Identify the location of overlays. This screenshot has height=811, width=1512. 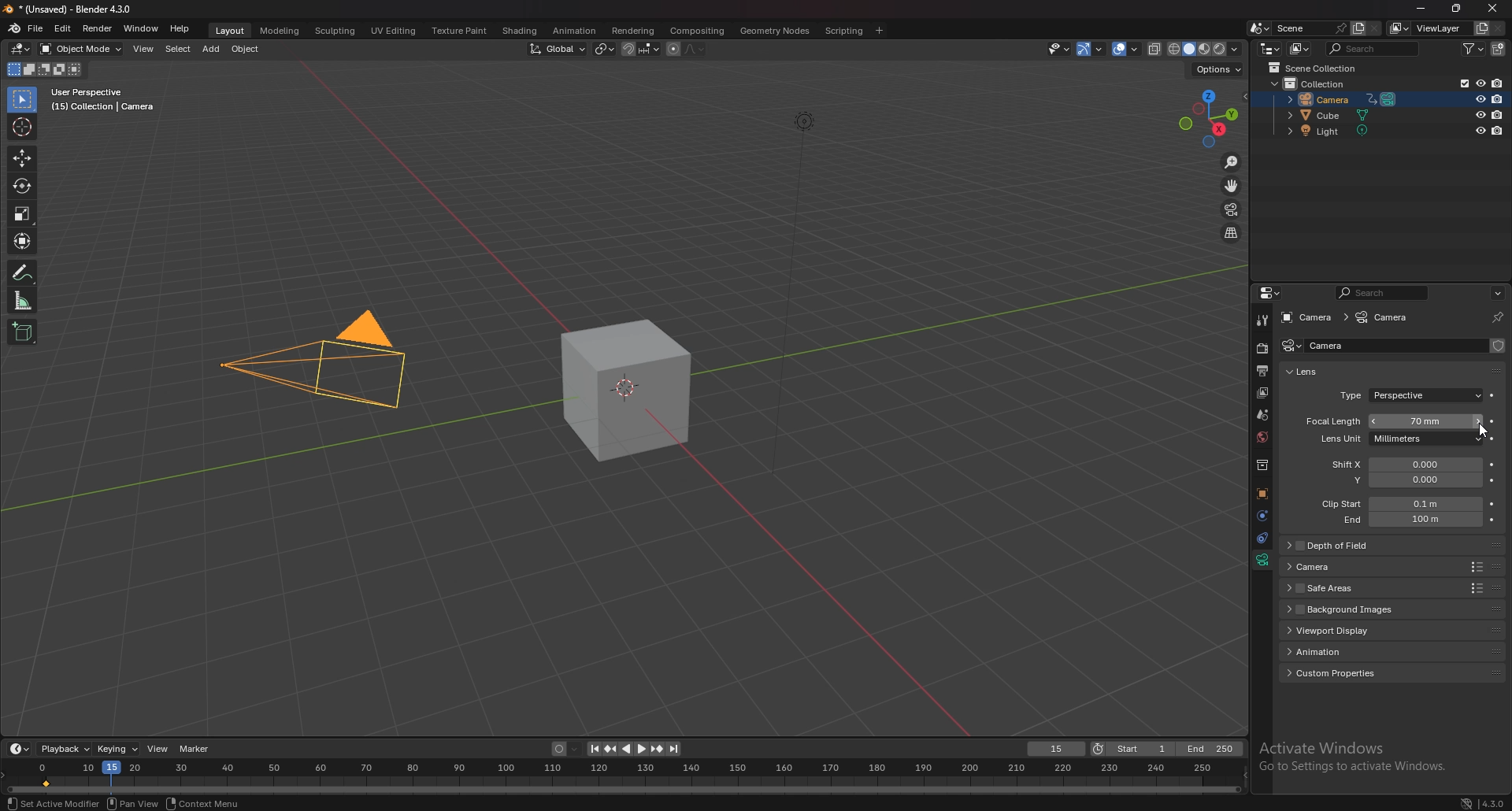
(1127, 50).